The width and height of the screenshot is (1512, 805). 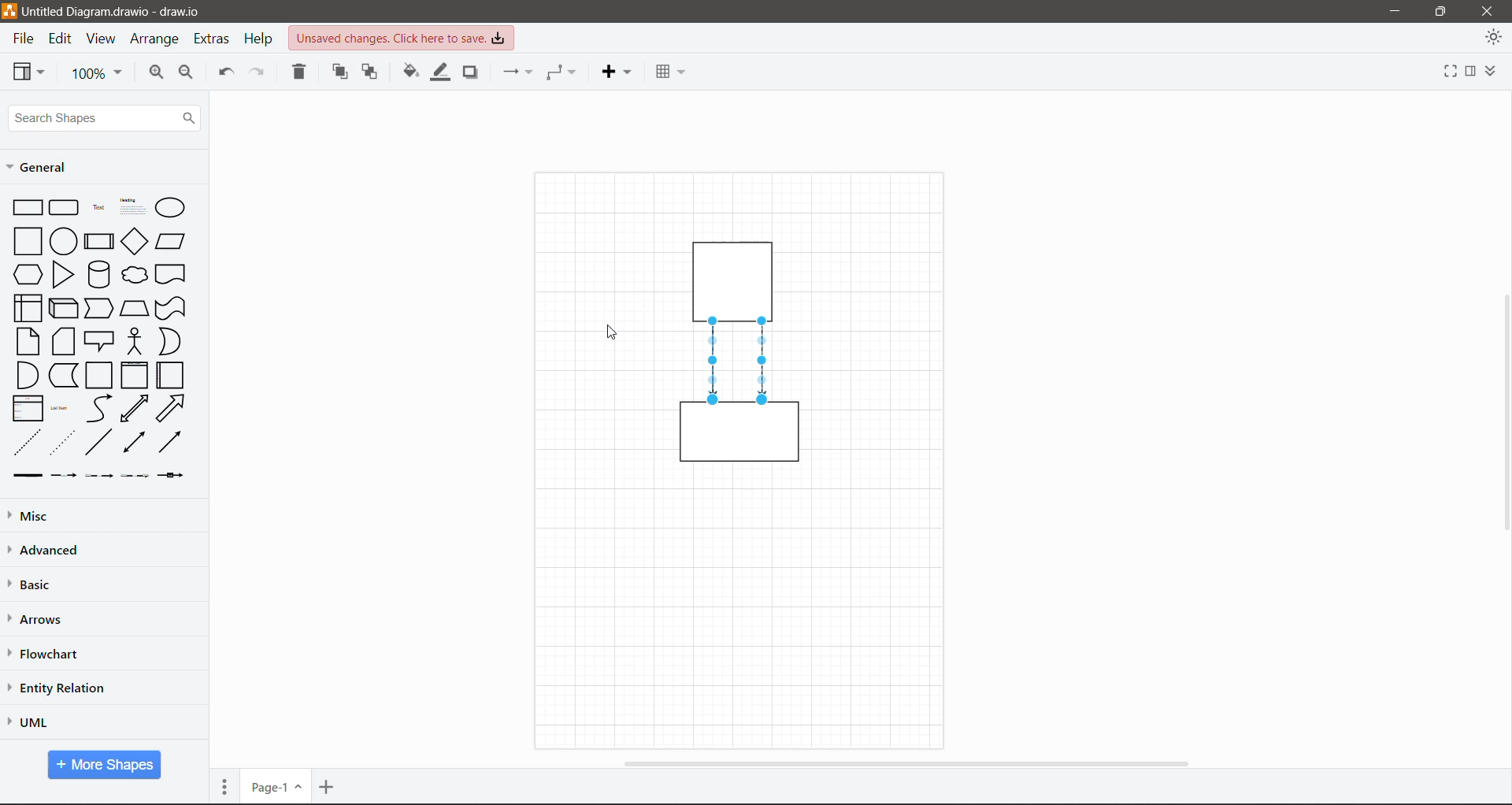 What do you see at coordinates (62, 307) in the screenshot?
I see `Cube` at bounding box center [62, 307].